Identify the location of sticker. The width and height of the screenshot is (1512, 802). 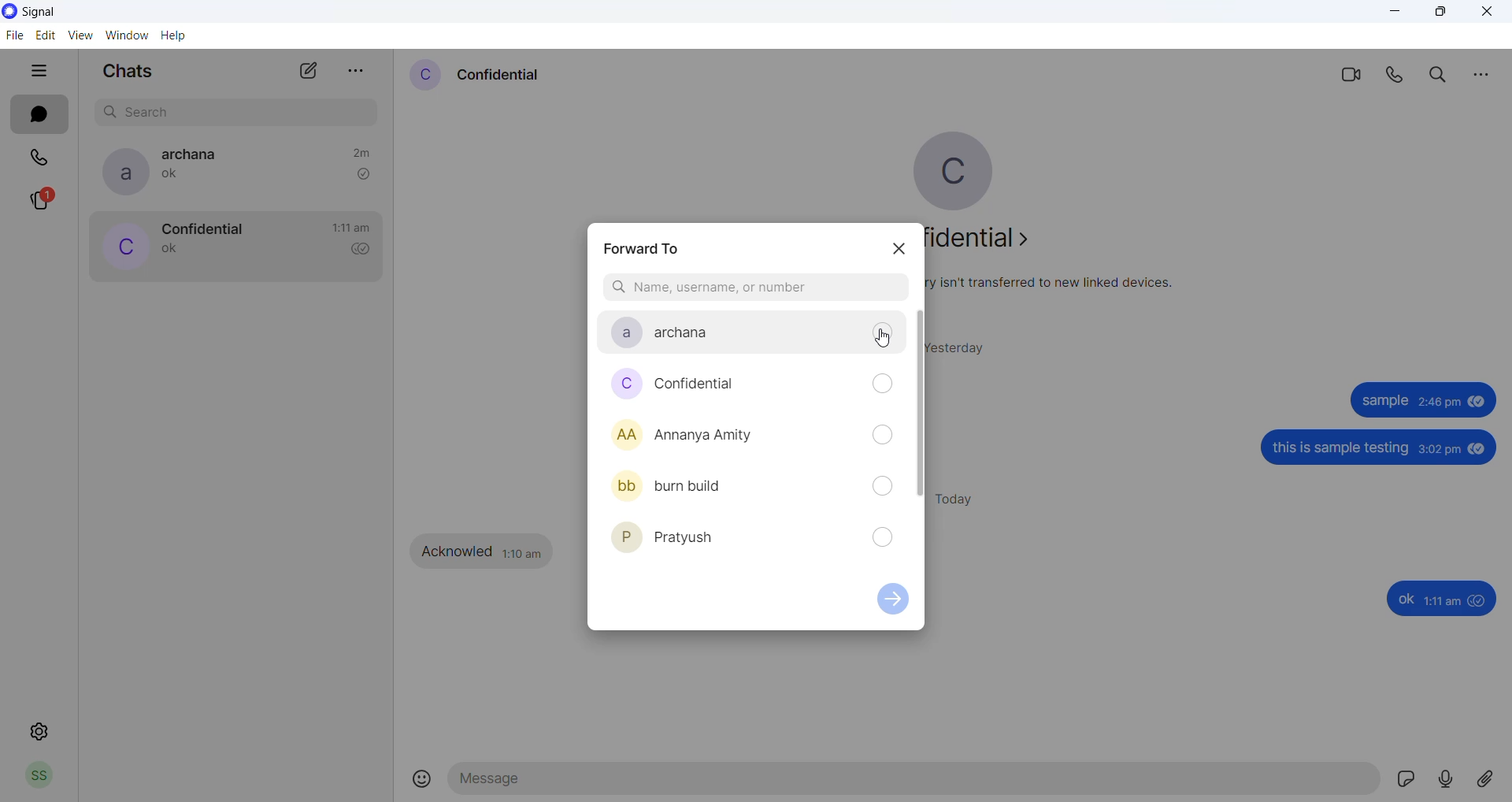
(1410, 782).